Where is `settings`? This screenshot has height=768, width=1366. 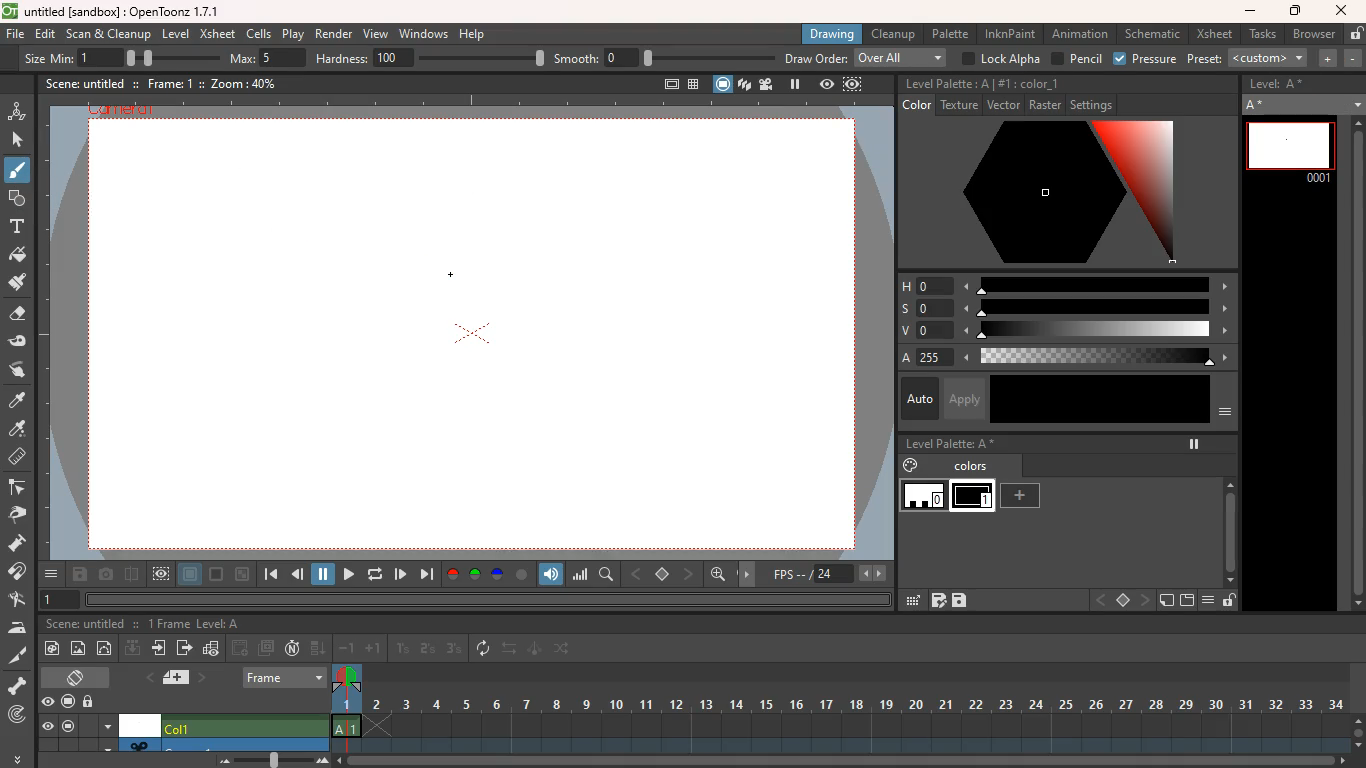 settings is located at coordinates (1095, 105).